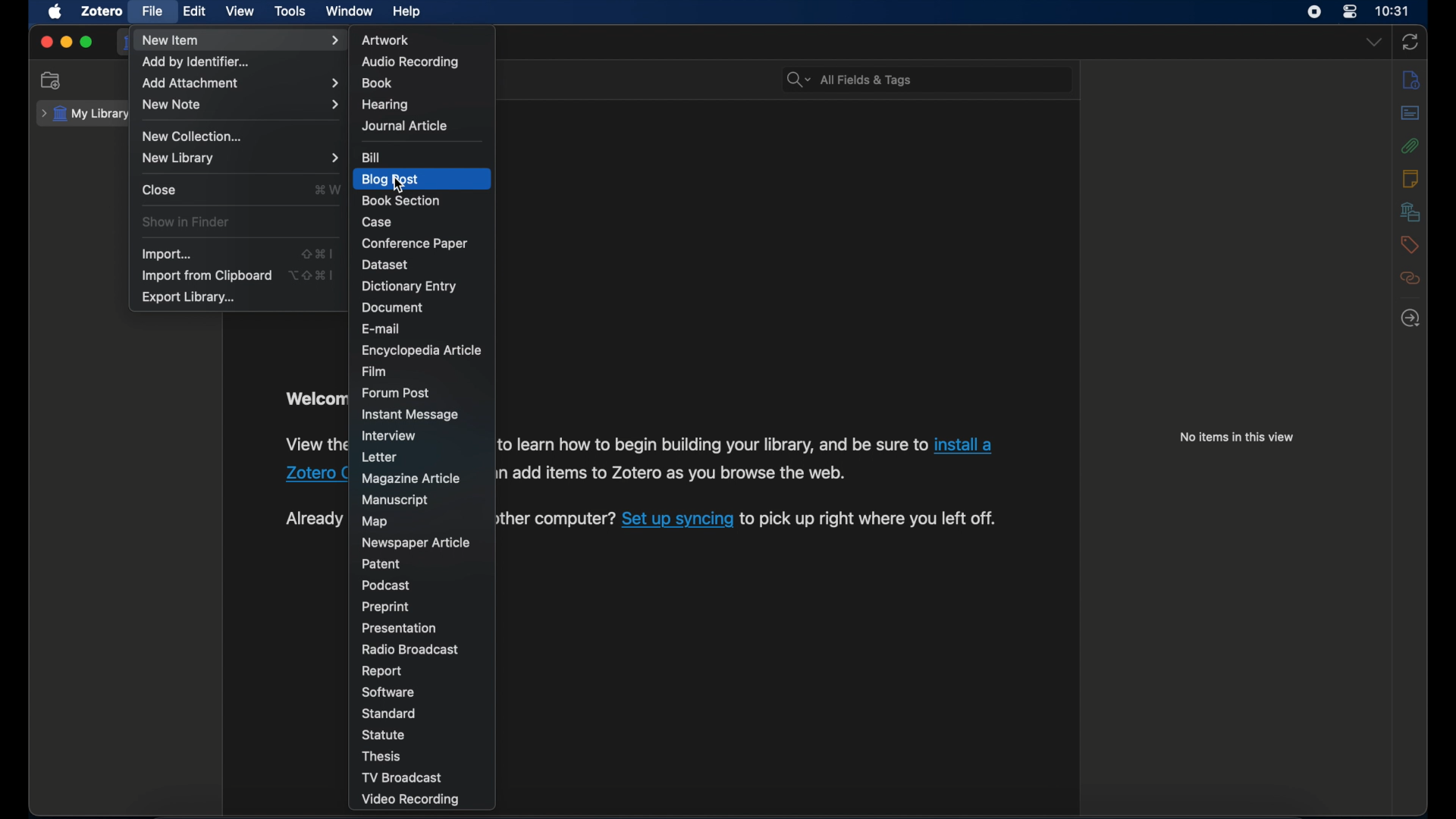 The width and height of the screenshot is (1456, 819). Describe the element at coordinates (381, 457) in the screenshot. I see `letter` at that location.